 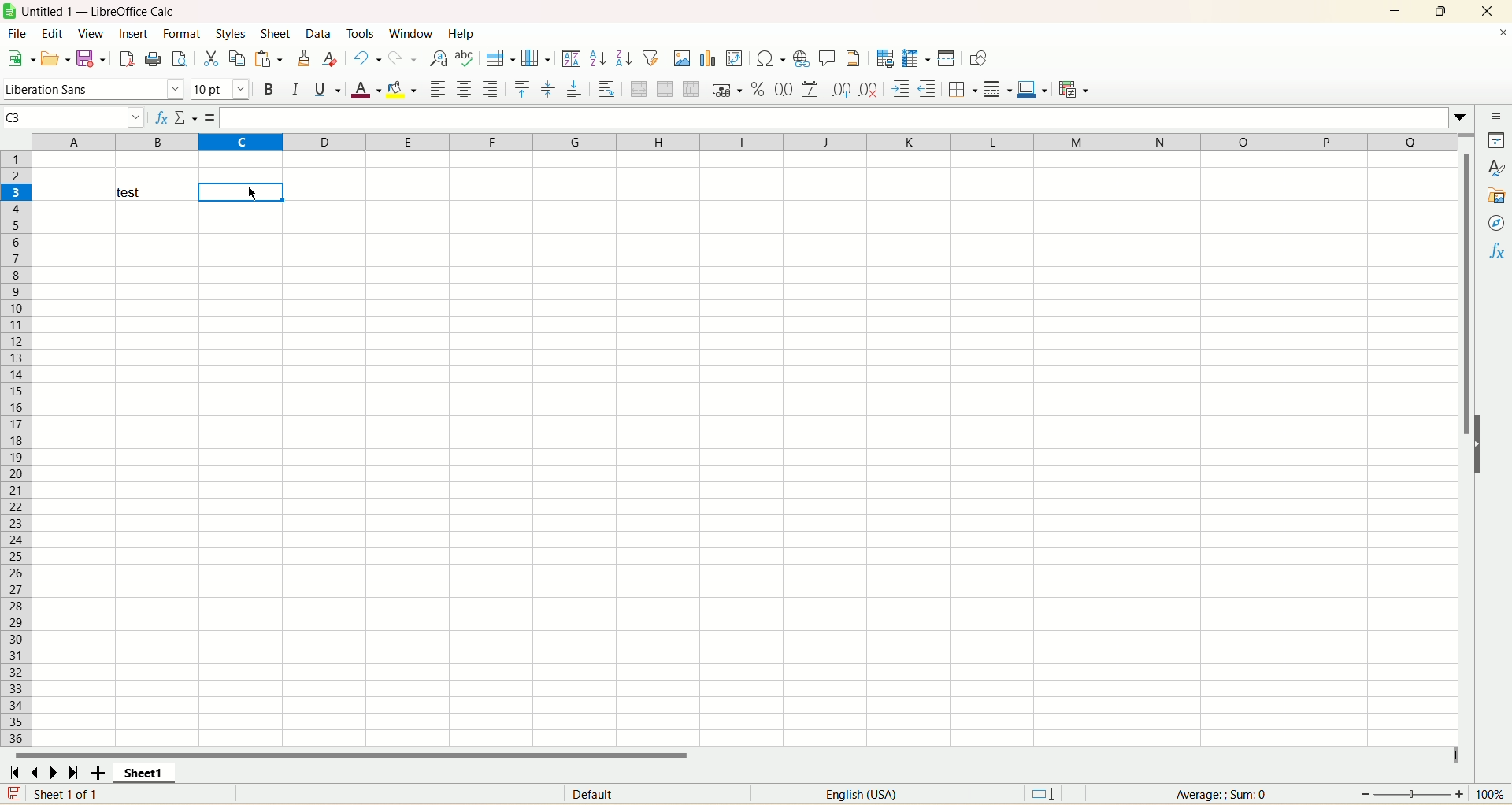 What do you see at coordinates (900, 89) in the screenshot?
I see `Increase indent` at bounding box center [900, 89].